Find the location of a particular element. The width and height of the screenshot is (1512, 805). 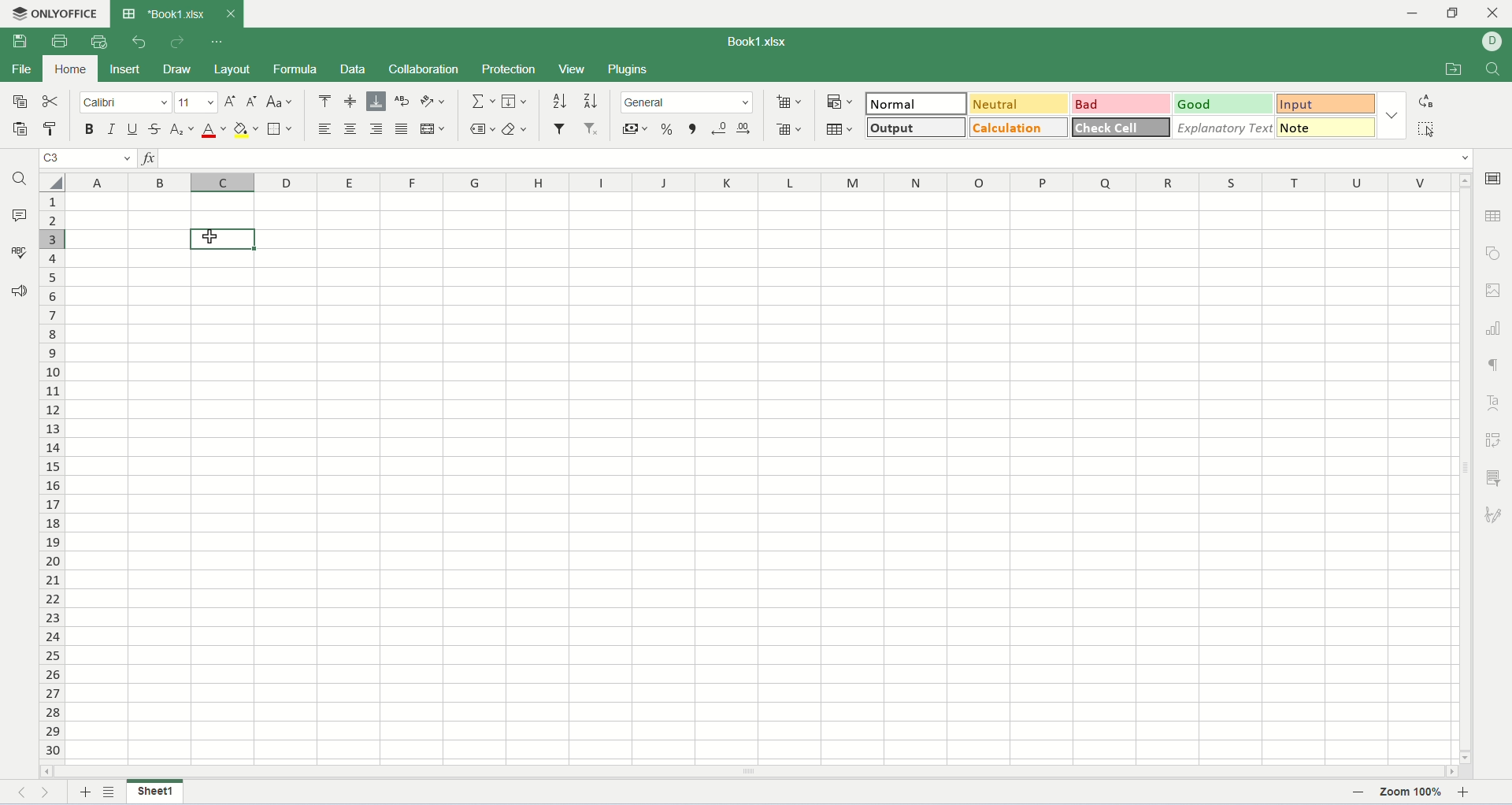

zoom in is located at coordinates (1484, 792).